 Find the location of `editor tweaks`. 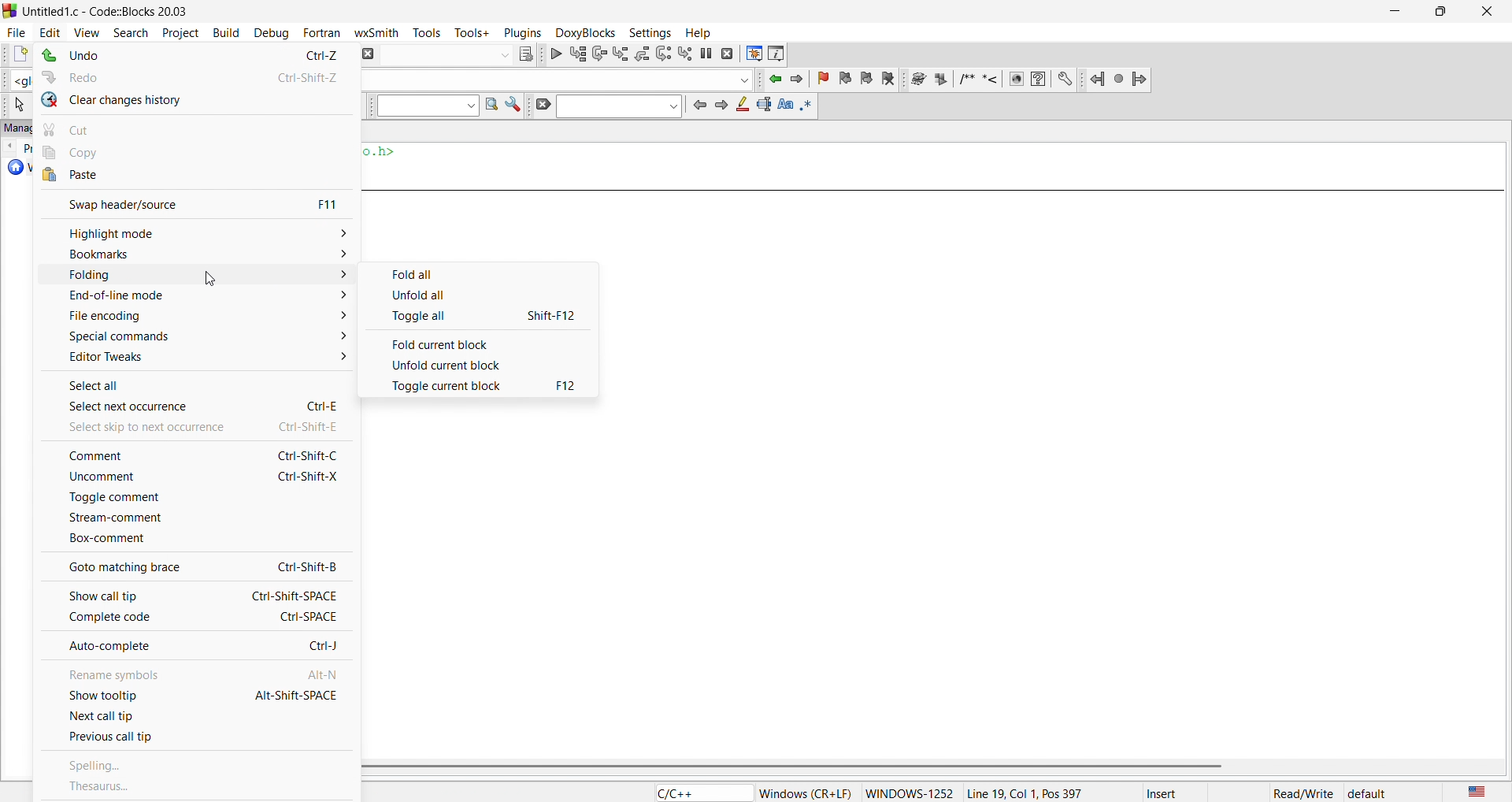

editor tweaks is located at coordinates (198, 358).